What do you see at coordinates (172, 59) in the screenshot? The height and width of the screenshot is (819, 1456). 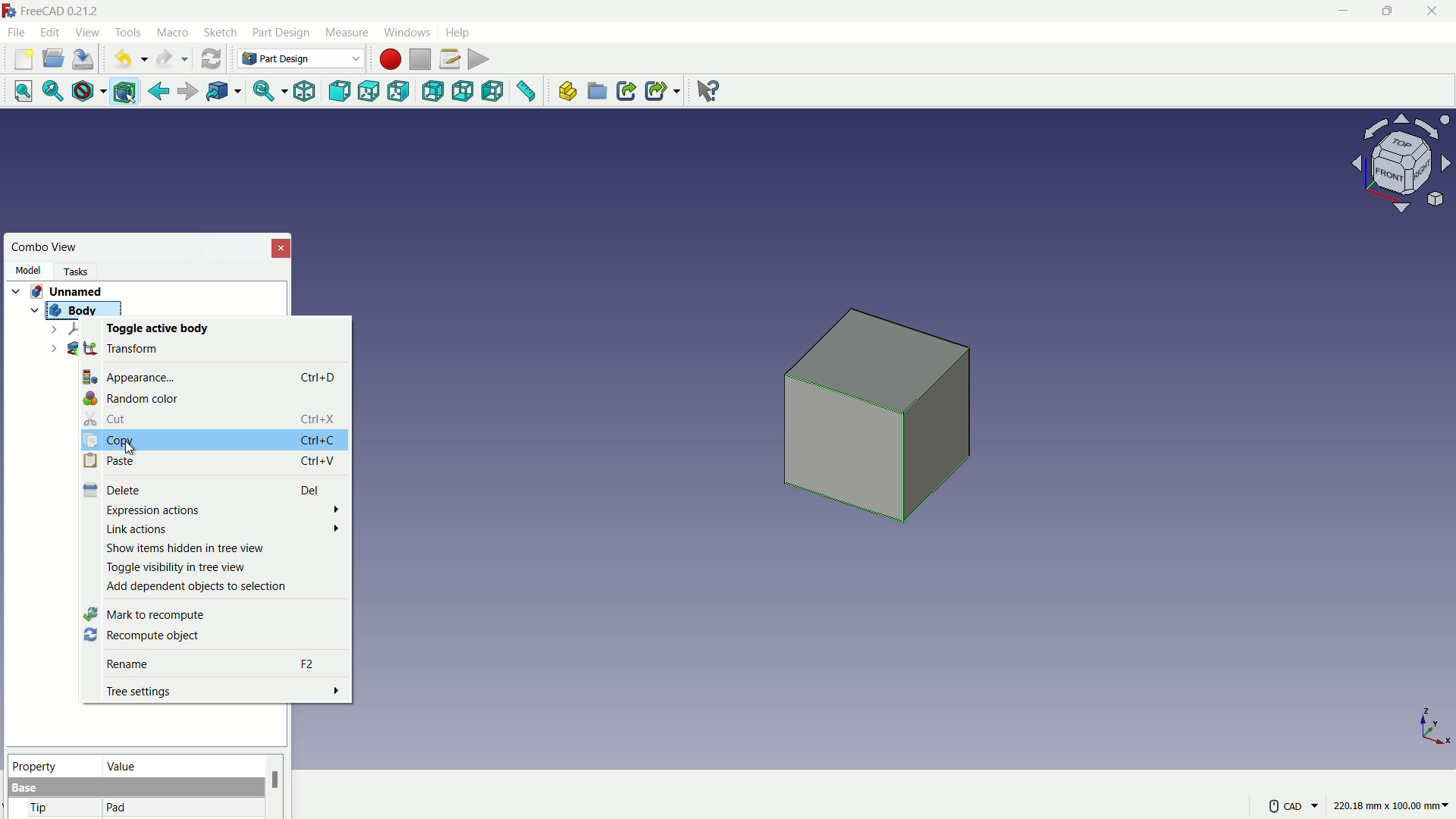 I see `redo` at bounding box center [172, 59].